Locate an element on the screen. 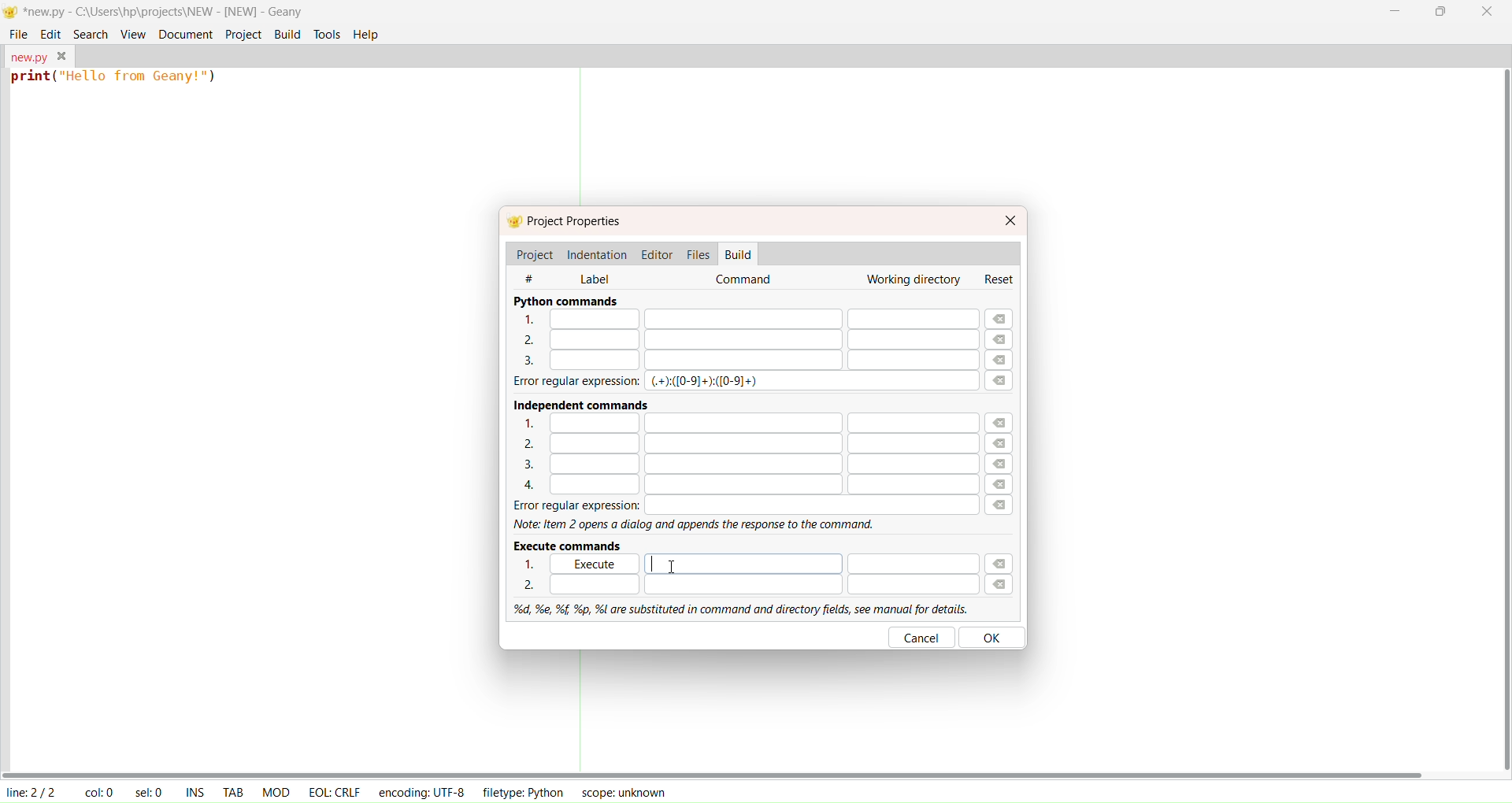 Image resolution: width=1512 pixels, height=803 pixels. instruction is located at coordinates (698, 525).